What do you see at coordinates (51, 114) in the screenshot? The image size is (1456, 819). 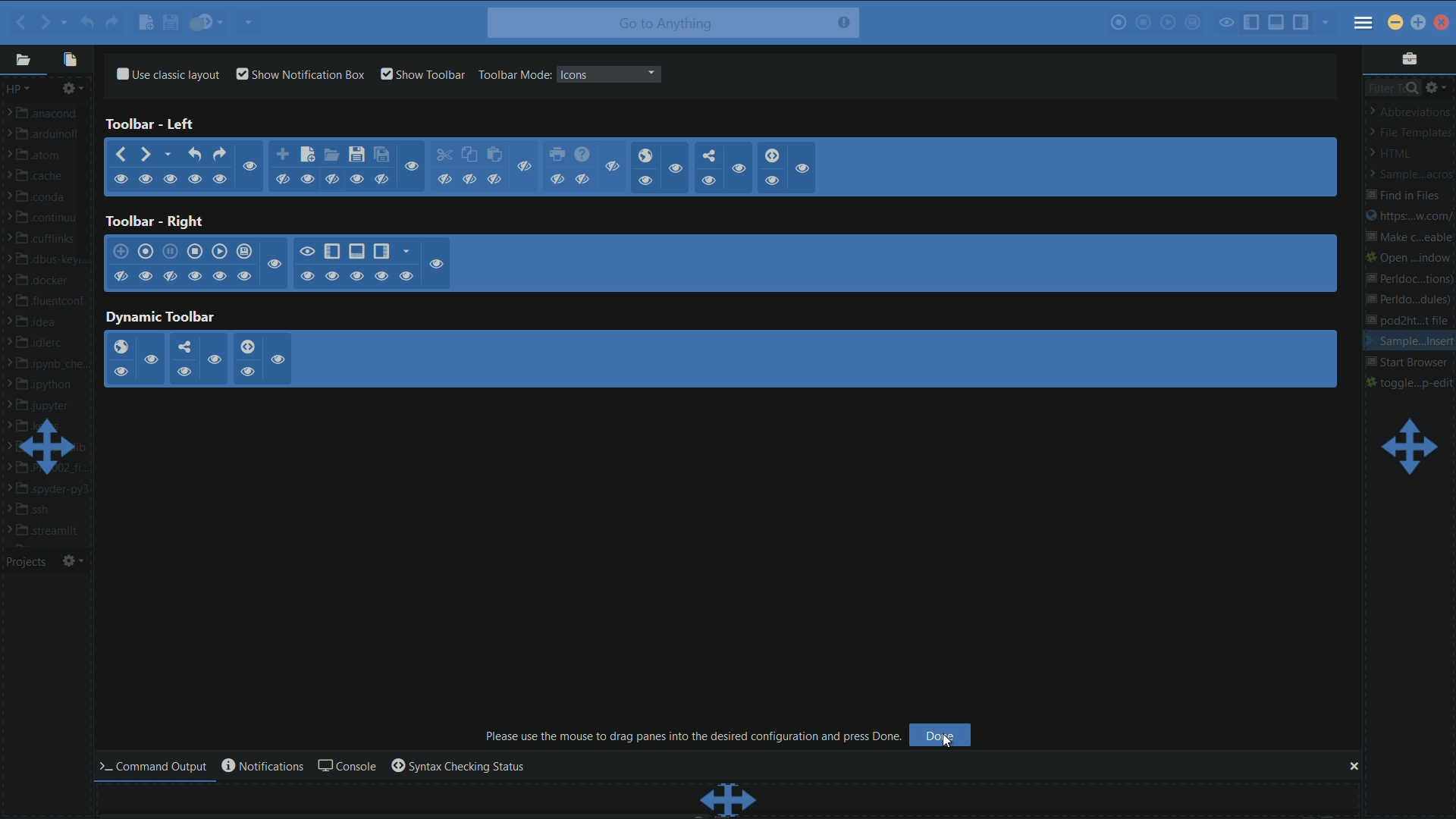 I see `anacond` at bounding box center [51, 114].